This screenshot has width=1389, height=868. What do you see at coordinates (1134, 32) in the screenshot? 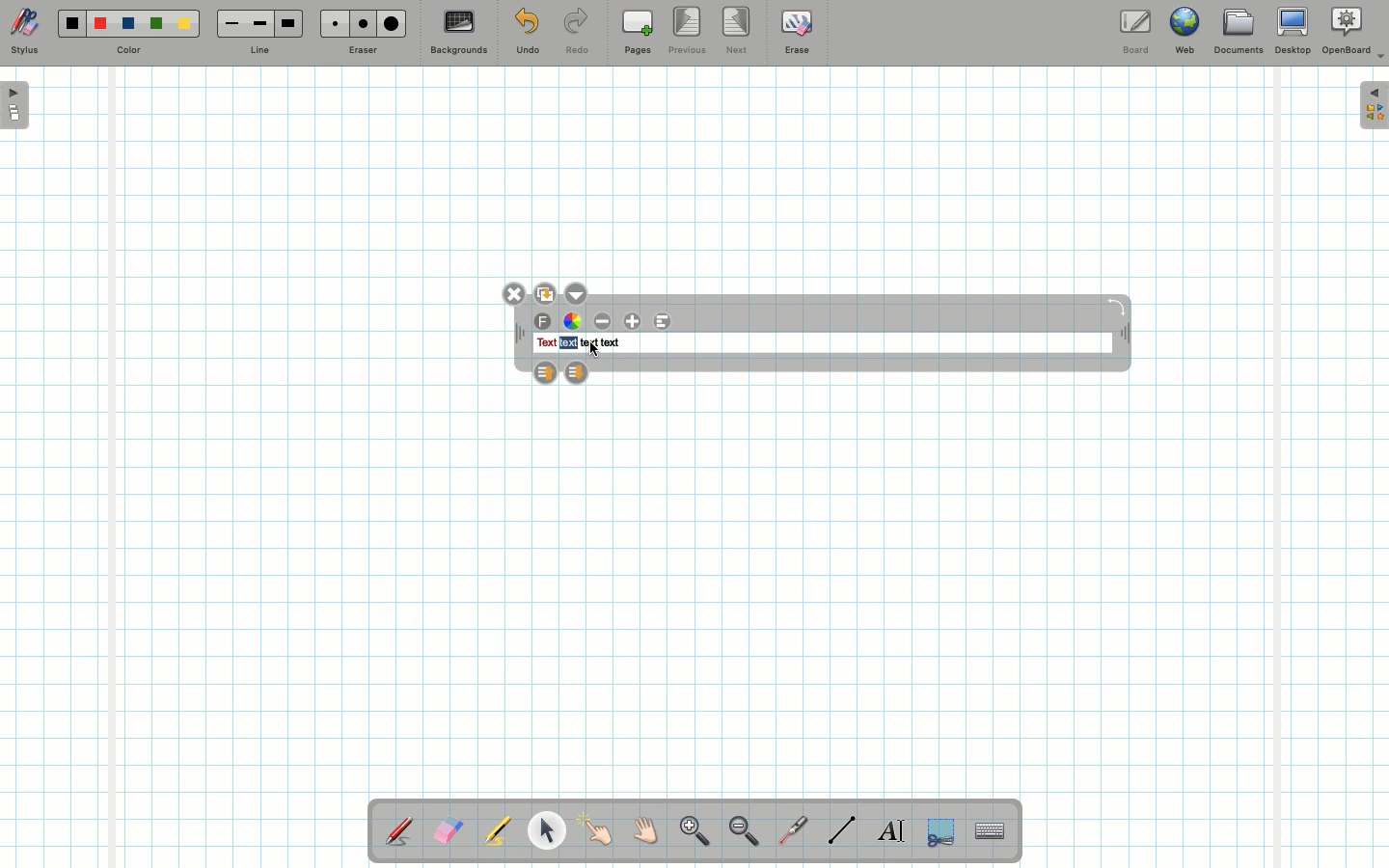
I see `Board` at bounding box center [1134, 32].